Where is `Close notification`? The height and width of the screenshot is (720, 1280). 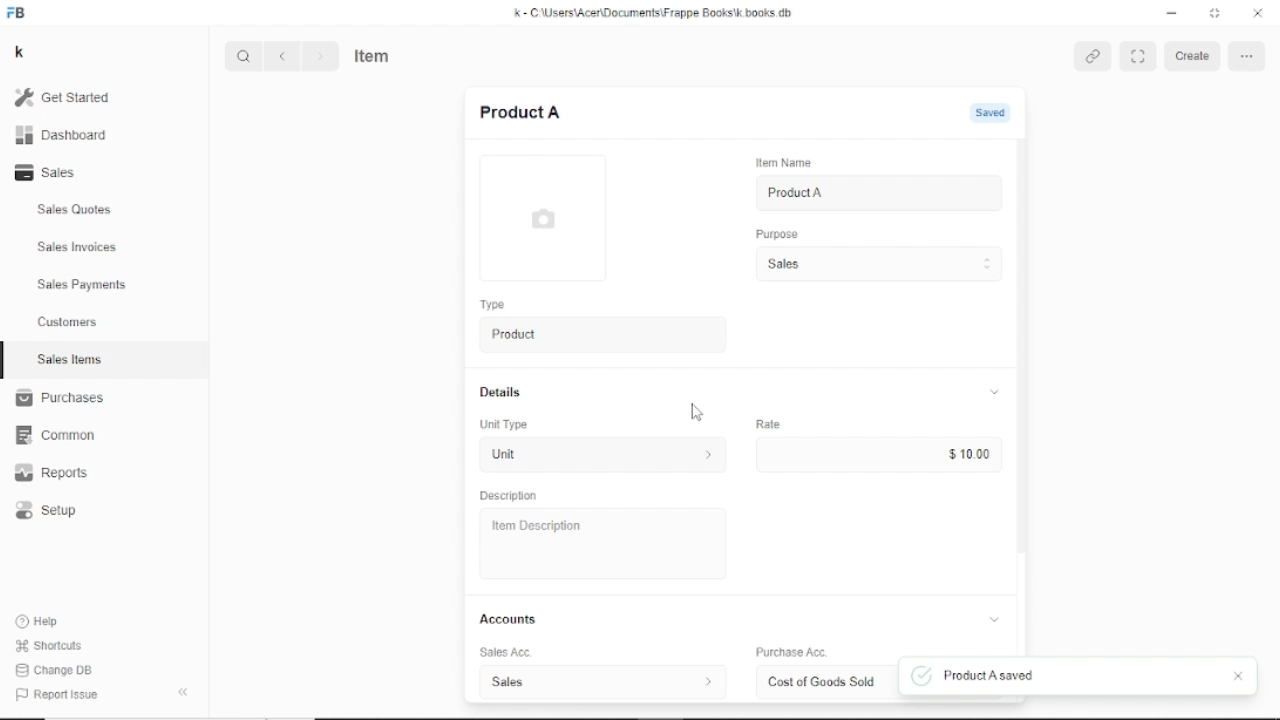
Close notification is located at coordinates (1238, 677).